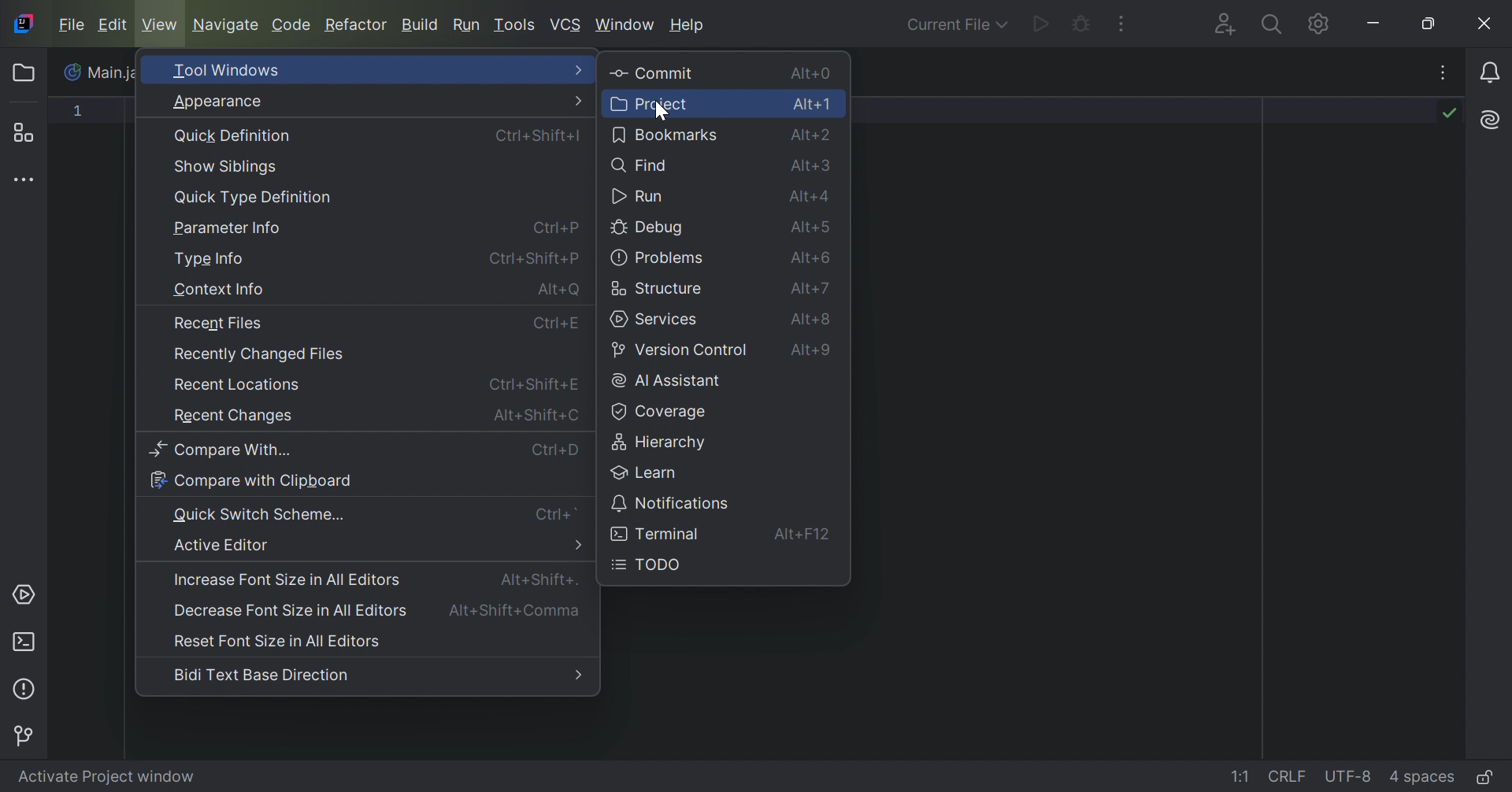 The height and width of the screenshot is (792, 1512). I want to click on Alt+7, so click(812, 291).